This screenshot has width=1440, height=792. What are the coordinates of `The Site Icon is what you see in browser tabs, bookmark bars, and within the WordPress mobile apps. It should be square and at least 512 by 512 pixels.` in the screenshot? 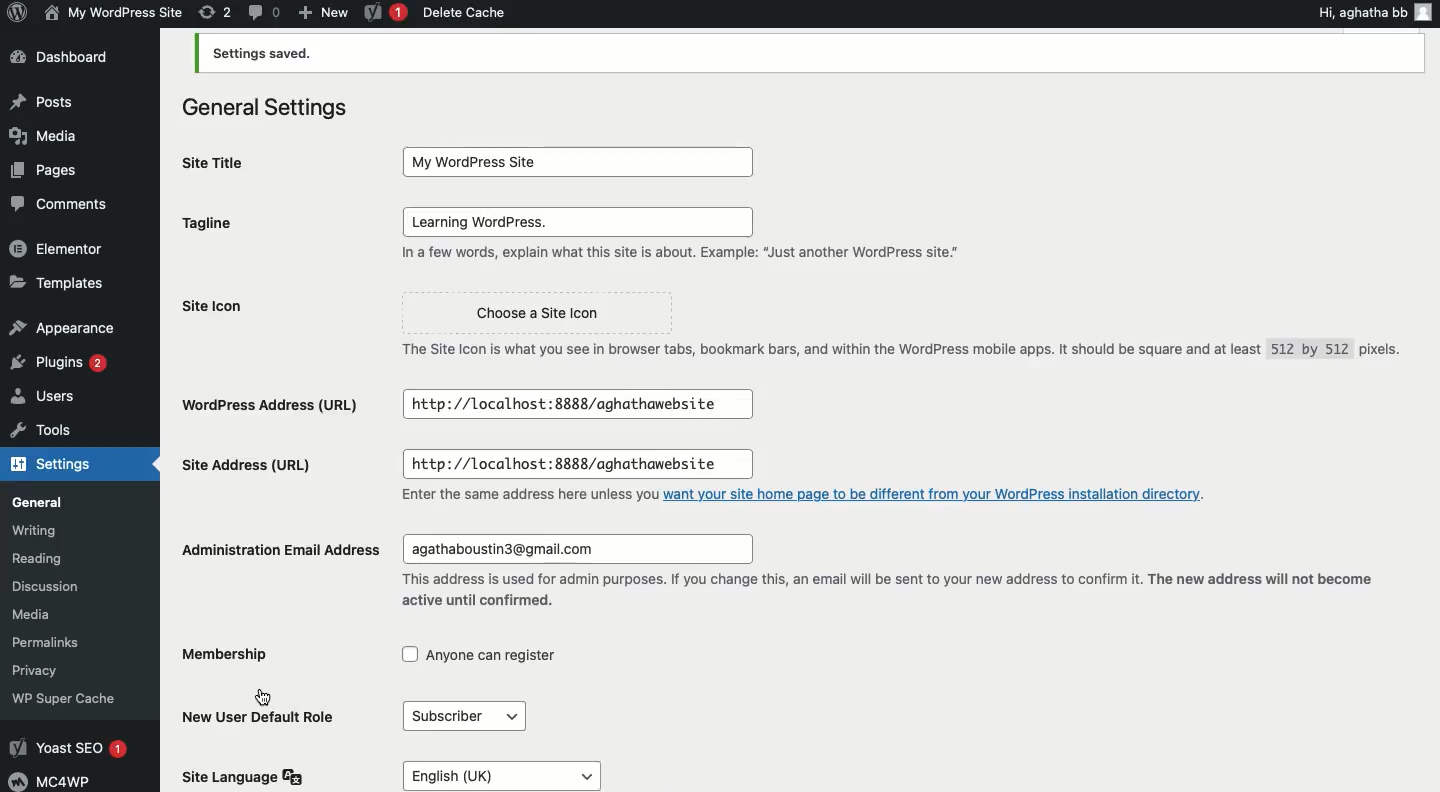 It's located at (905, 346).